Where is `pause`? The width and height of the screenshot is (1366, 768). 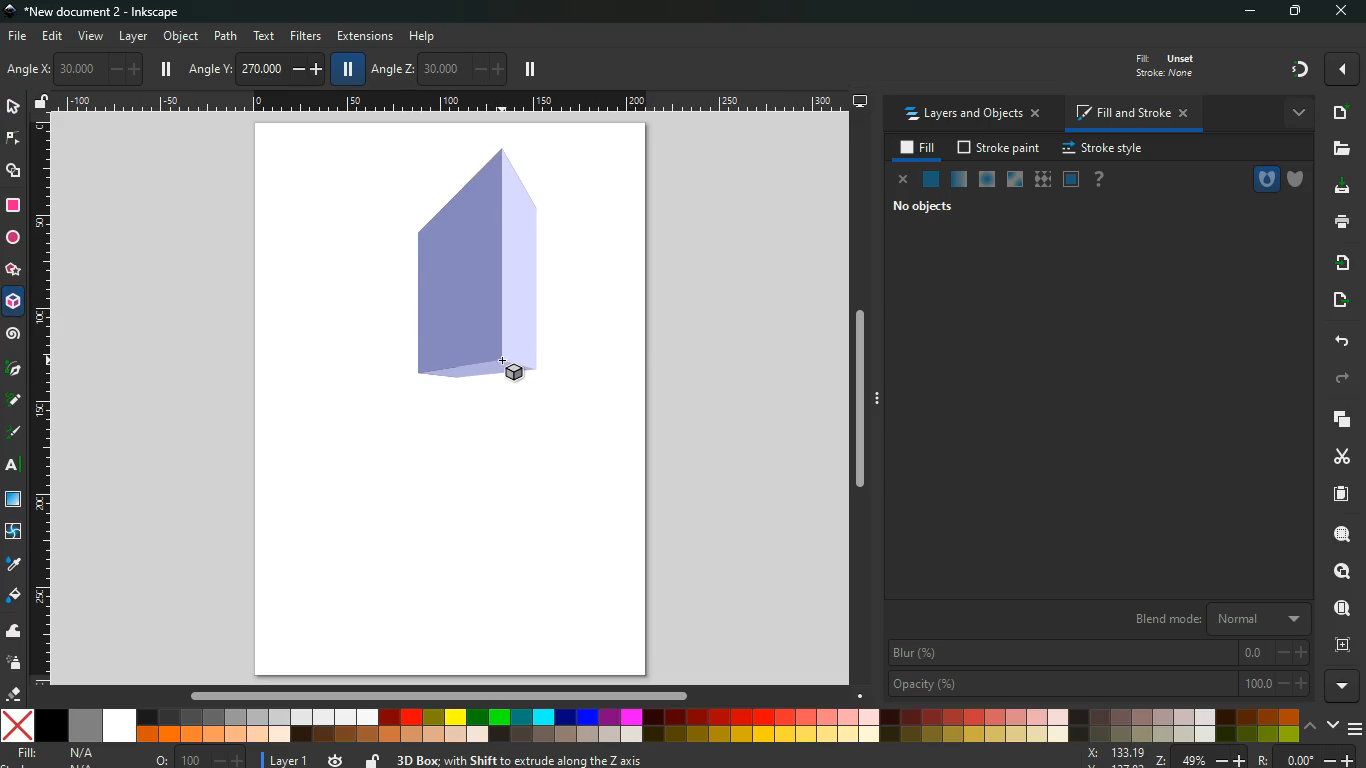 pause is located at coordinates (530, 70).